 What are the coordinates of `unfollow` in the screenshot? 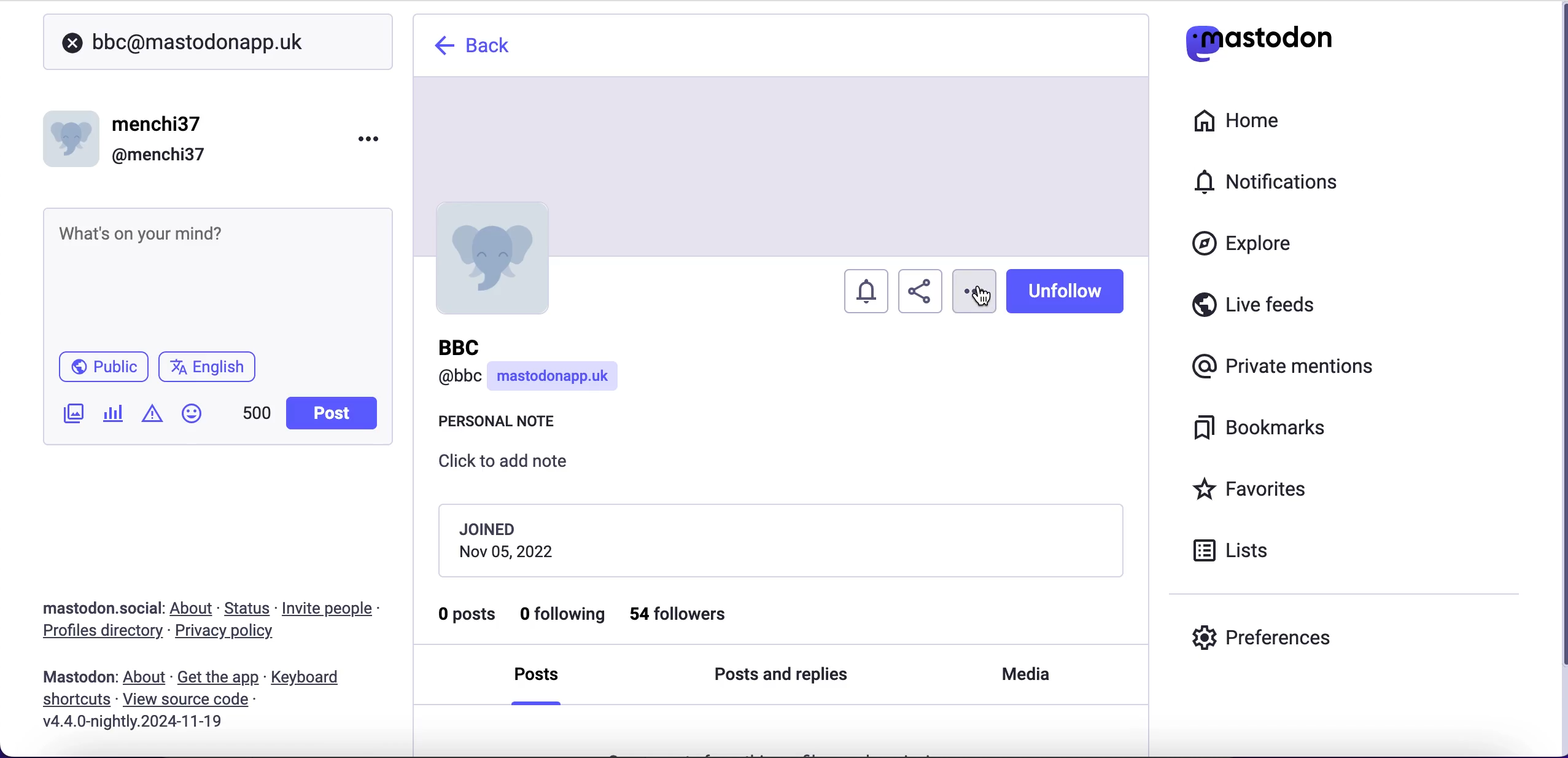 It's located at (1073, 291).